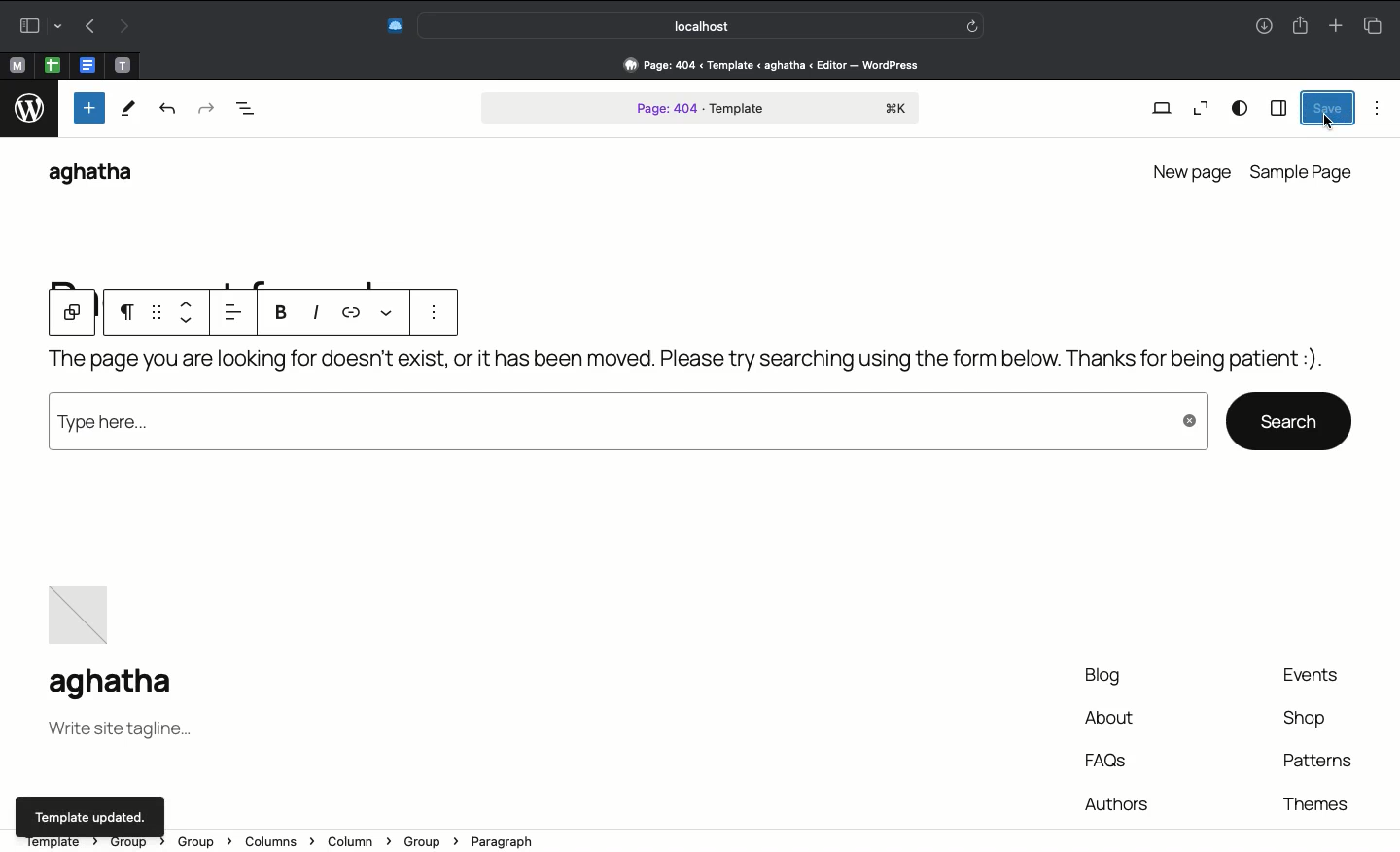 The image size is (1400, 852). I want to click on FAQs, so click(1110, 760).